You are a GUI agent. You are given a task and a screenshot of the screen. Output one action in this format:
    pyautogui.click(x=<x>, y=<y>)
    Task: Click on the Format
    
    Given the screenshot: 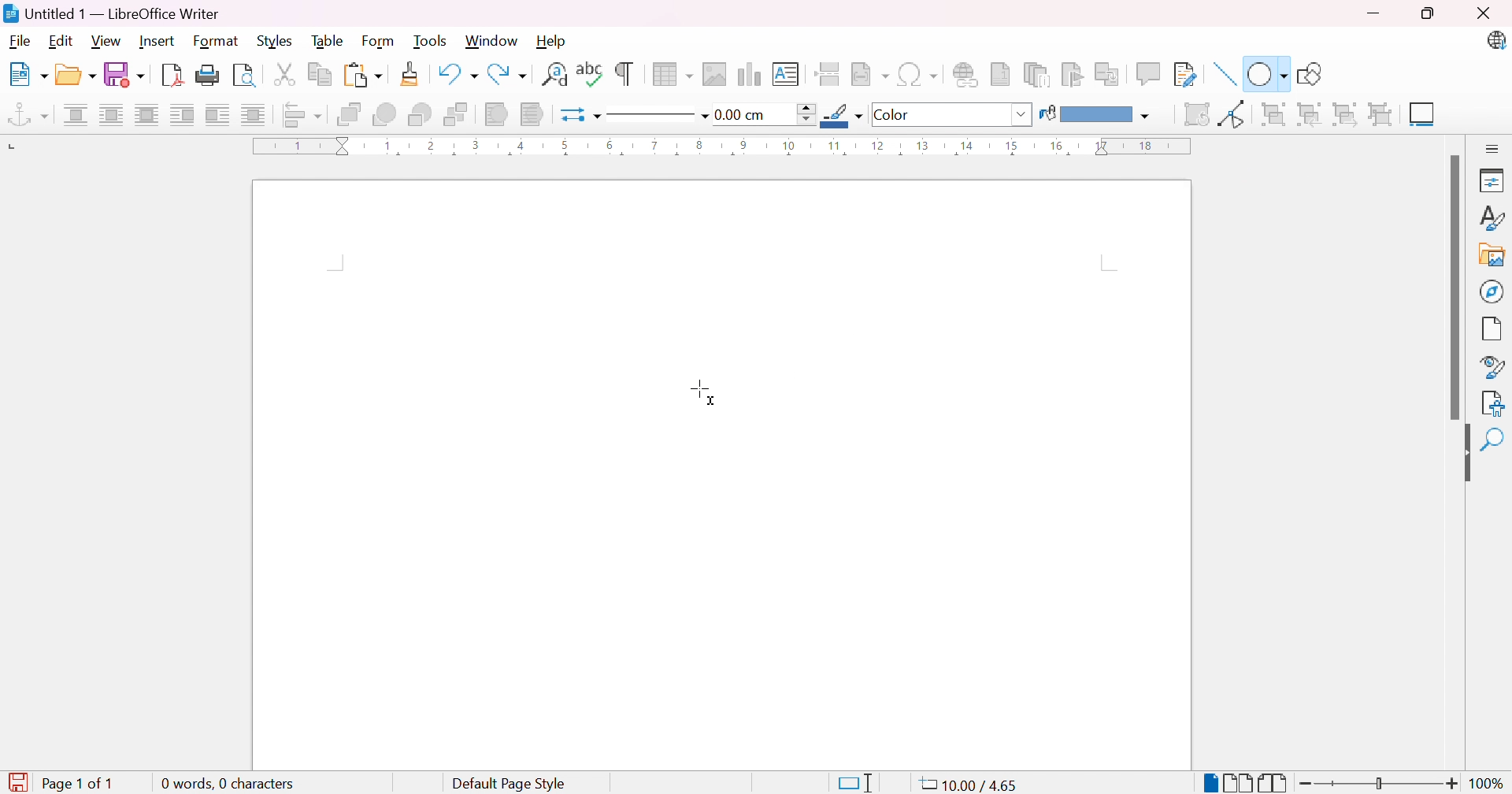 What is the action you would take?
    pyautogui.click(x=217, y=42)
    